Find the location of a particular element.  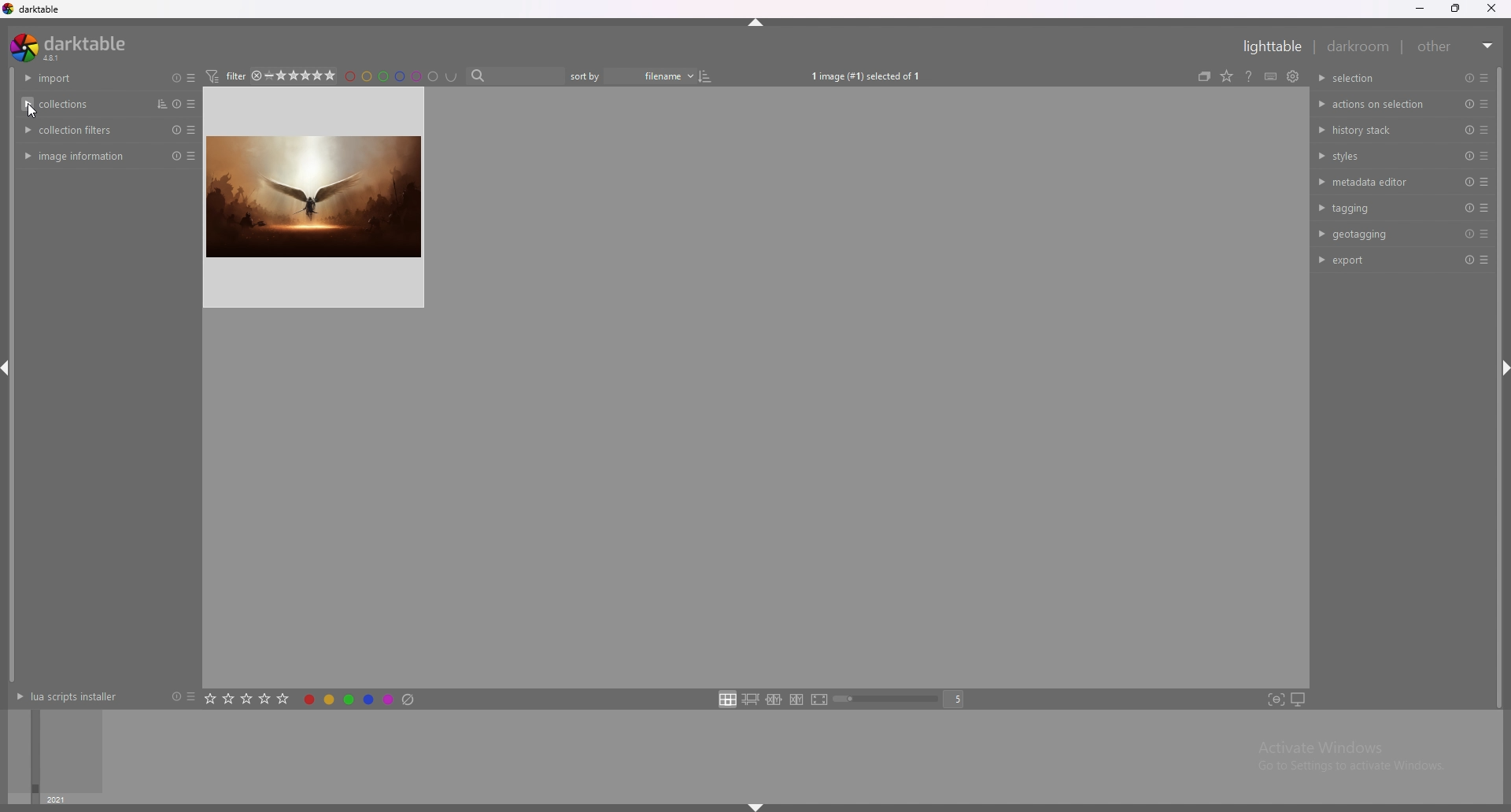

collapse grouped images is located at coordinates (1222, 76).